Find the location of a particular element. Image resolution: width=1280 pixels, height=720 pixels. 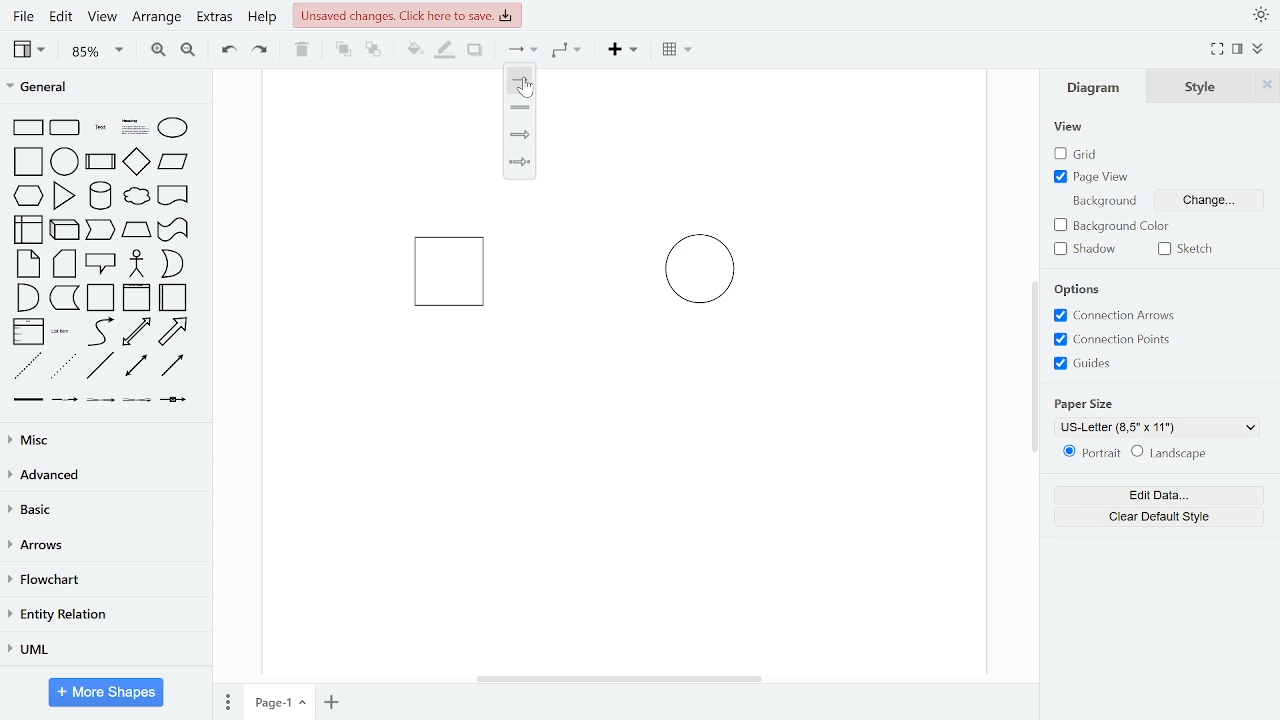

ellipse is located at coordinates (177, 129).